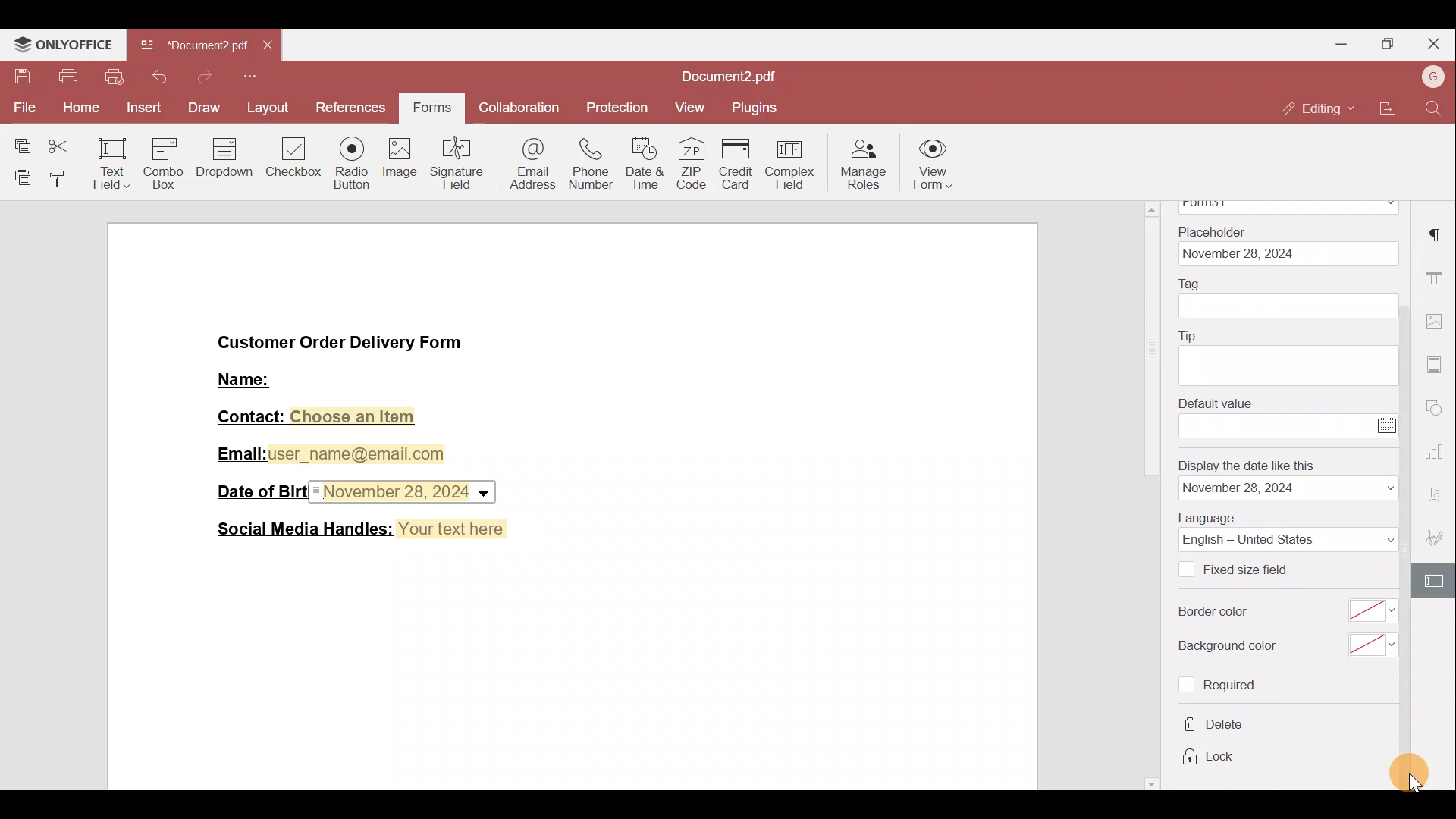  I want to click on Tip, so click(1191, 337).